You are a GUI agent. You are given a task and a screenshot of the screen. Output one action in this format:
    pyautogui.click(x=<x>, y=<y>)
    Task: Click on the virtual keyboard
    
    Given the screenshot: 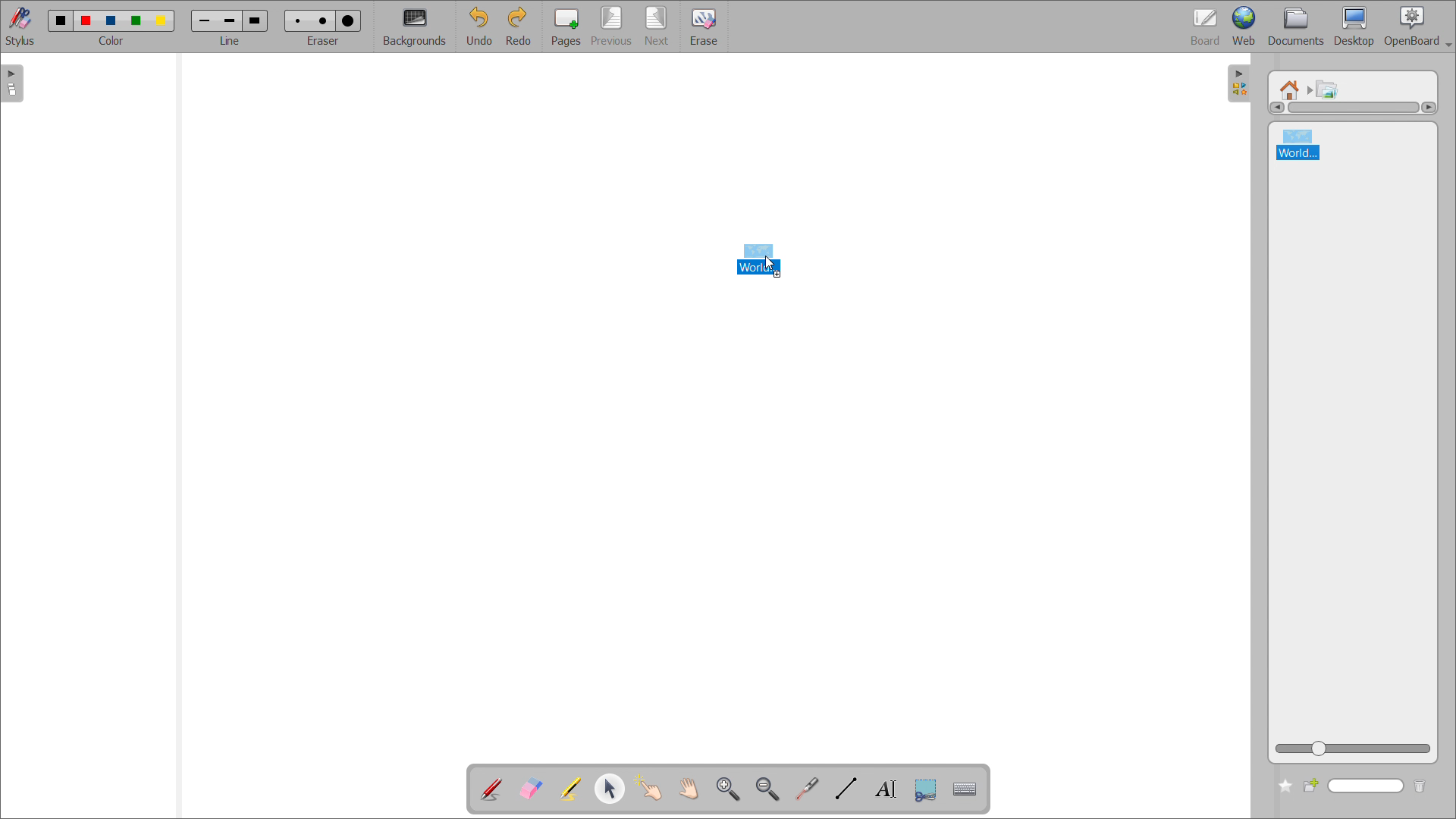 What is the action you would take?
    pyautogui.click(x=965, y=789)
    